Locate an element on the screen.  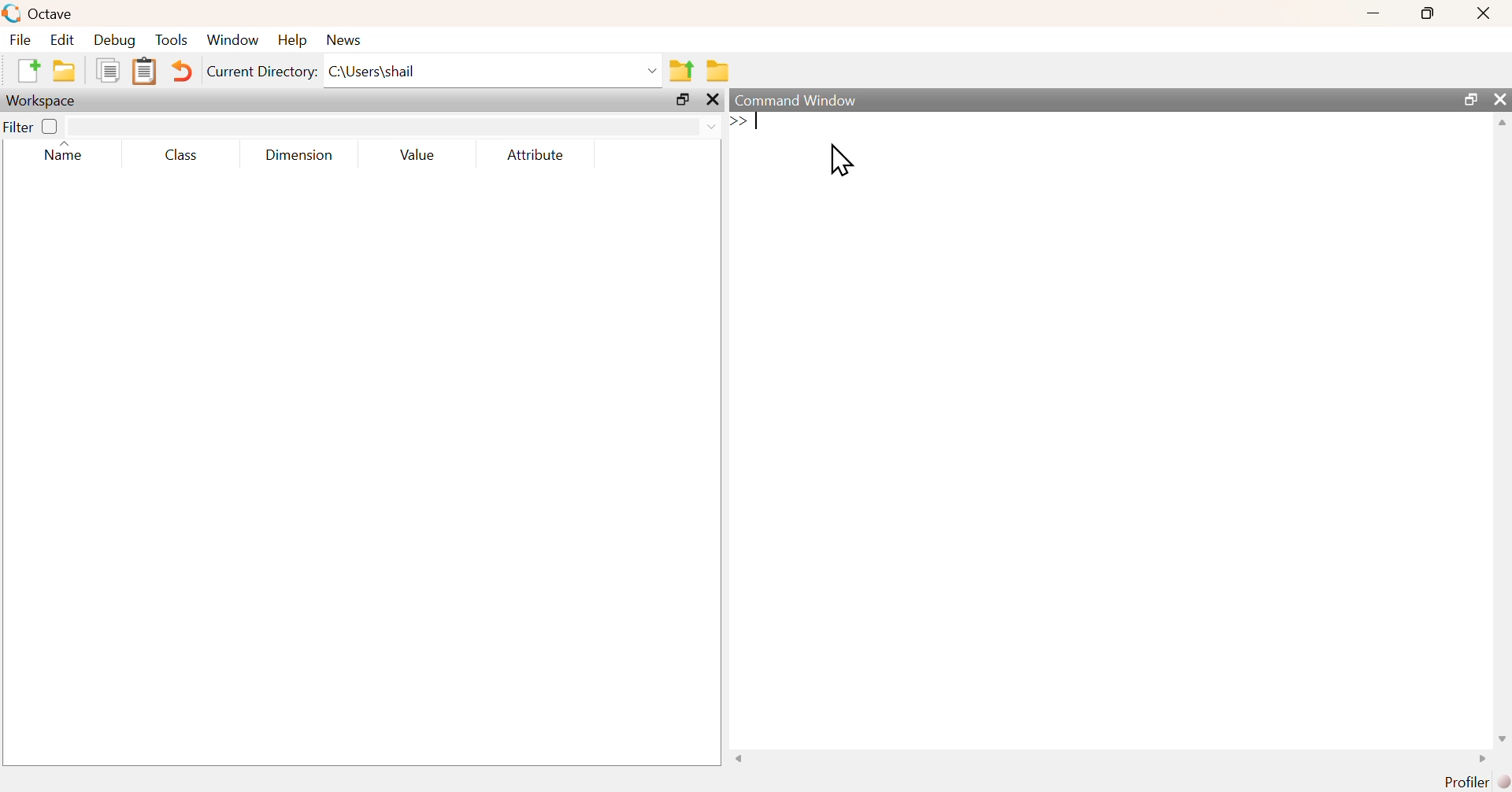
Maximize is located at coordinates (1472, 99).